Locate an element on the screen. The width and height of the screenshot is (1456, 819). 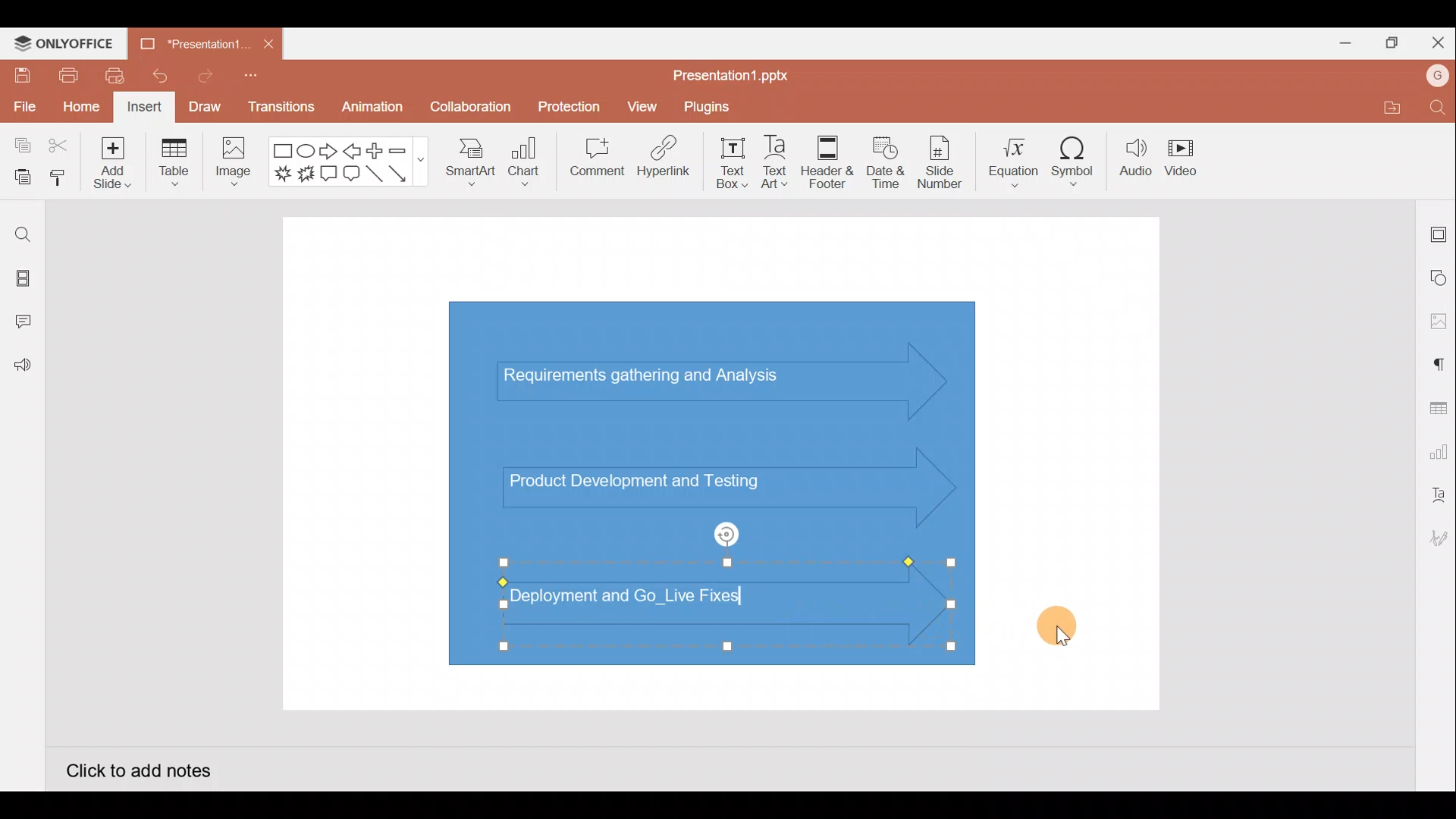
Video is located at coordinates (1183, 155).